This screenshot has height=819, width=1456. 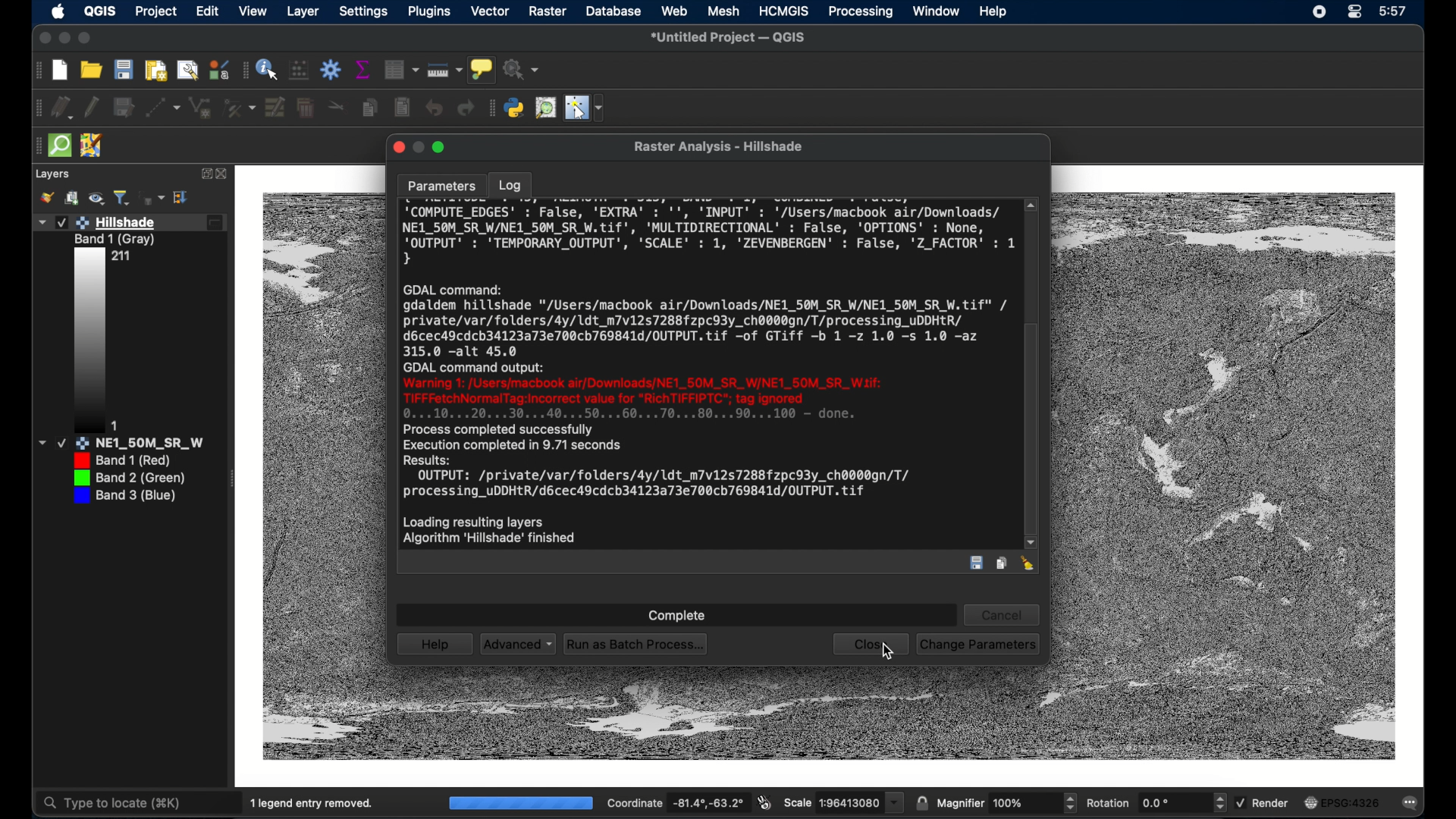 What do you see at coordinates (72, 197) in the screenshot?
I see `add group` at bounding box center [72, 197].